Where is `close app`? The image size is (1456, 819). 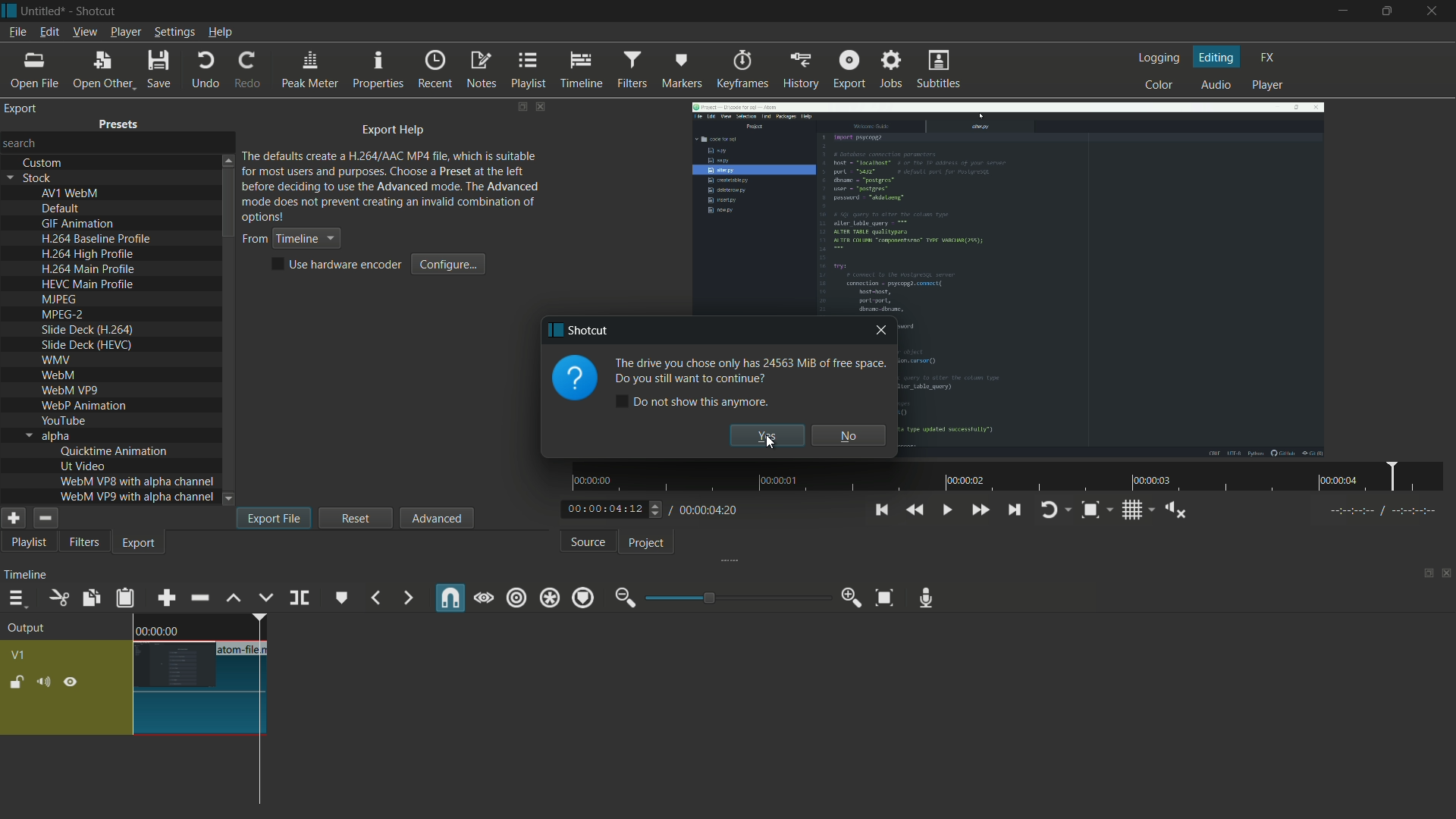 close app is located at coordinates (1436, 12).